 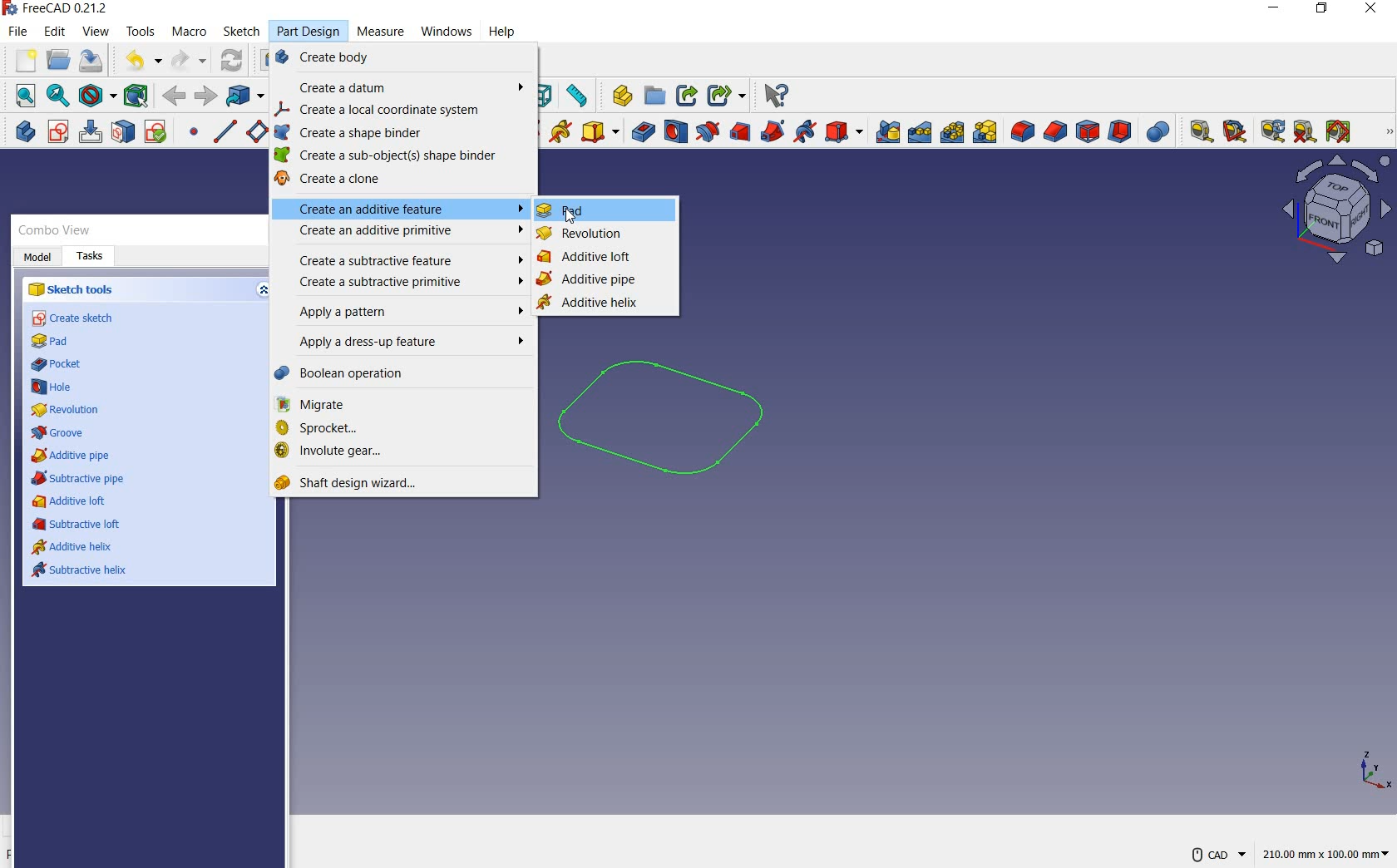 I want to click on Tasks, so click(x=91, y=255).